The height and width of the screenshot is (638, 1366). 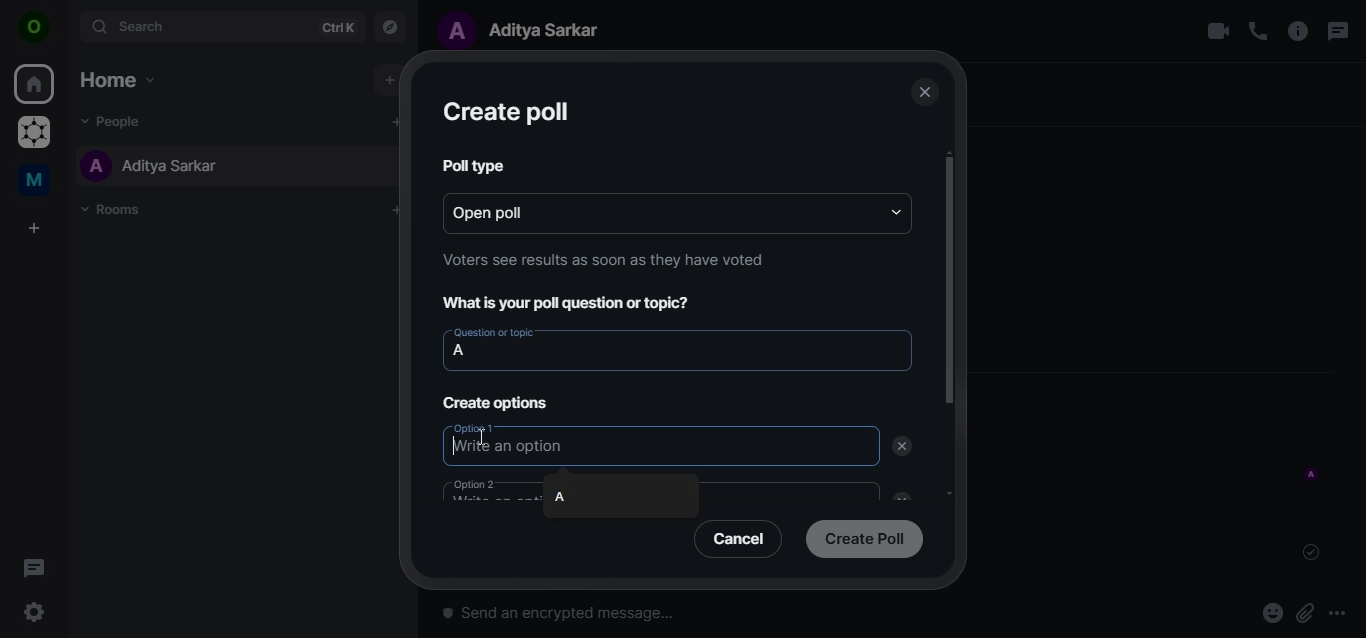 What do you see at coordinates (511, 446) in the screenshot?
I see `option1` at bounding box center [511, 446].